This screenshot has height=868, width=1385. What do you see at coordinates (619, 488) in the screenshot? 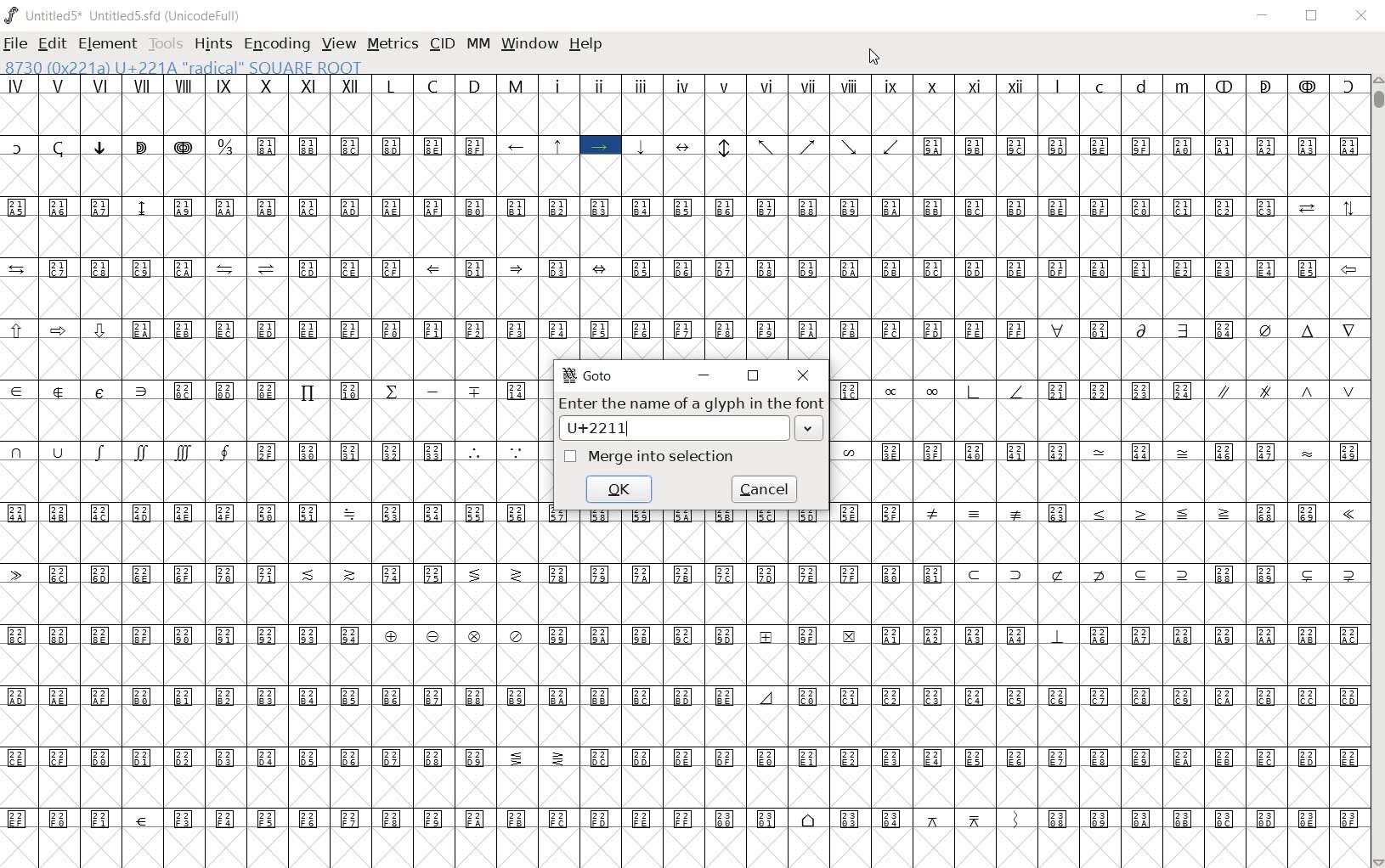
I see `OK` at bounding box center [619, 488].